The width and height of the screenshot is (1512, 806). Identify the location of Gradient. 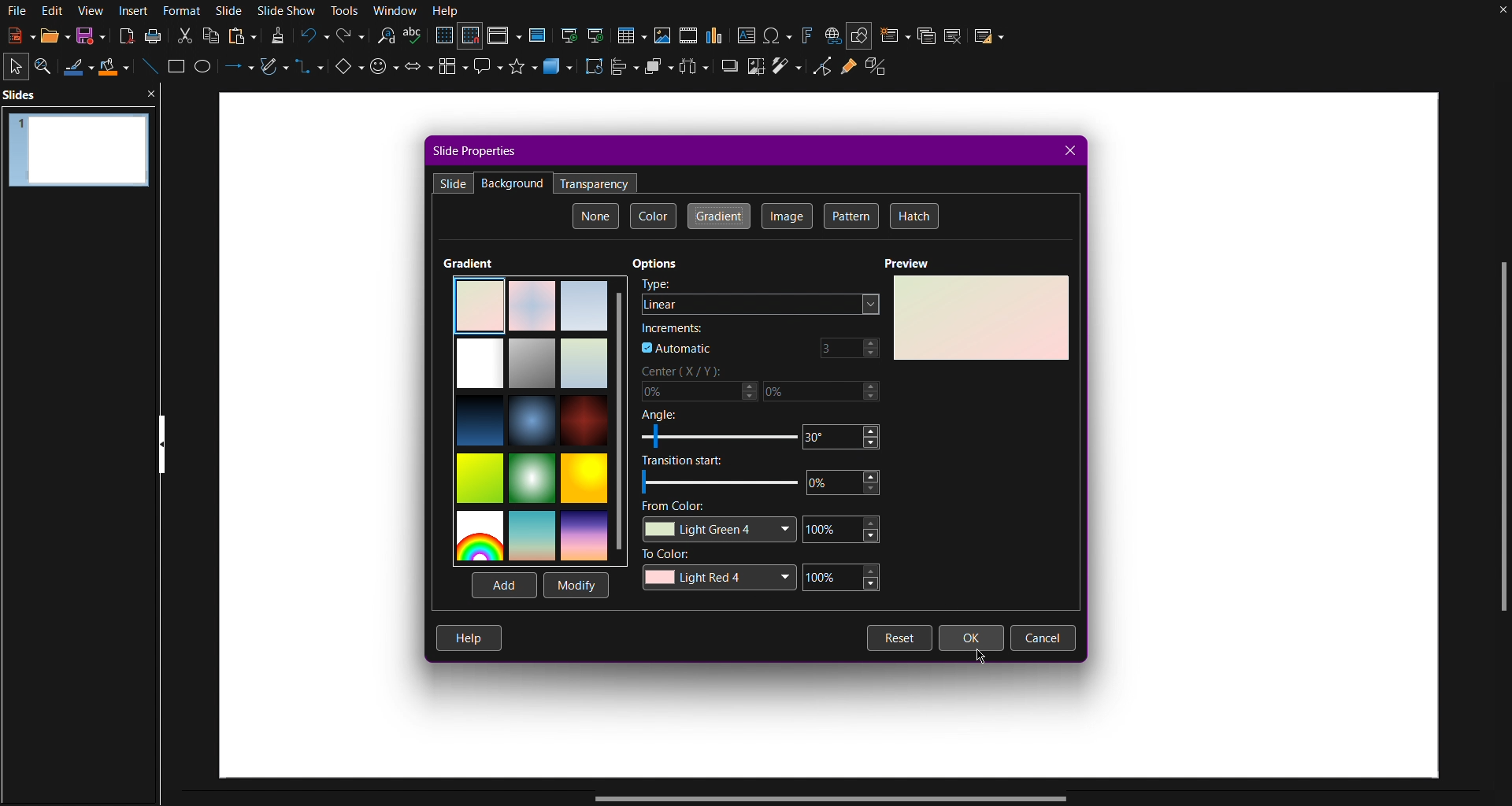
(718, 216).